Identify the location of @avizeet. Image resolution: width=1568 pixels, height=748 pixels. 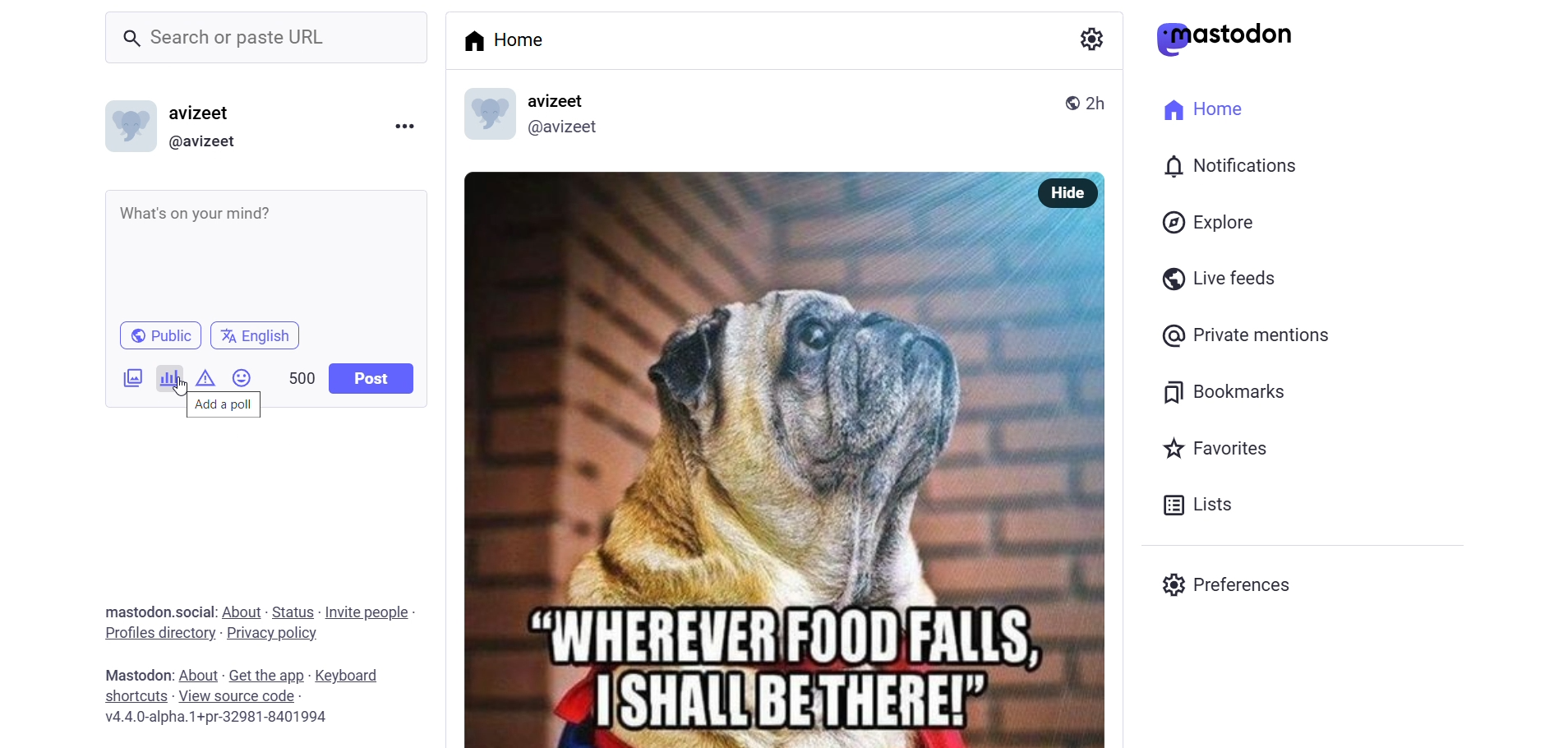
(562, 131).